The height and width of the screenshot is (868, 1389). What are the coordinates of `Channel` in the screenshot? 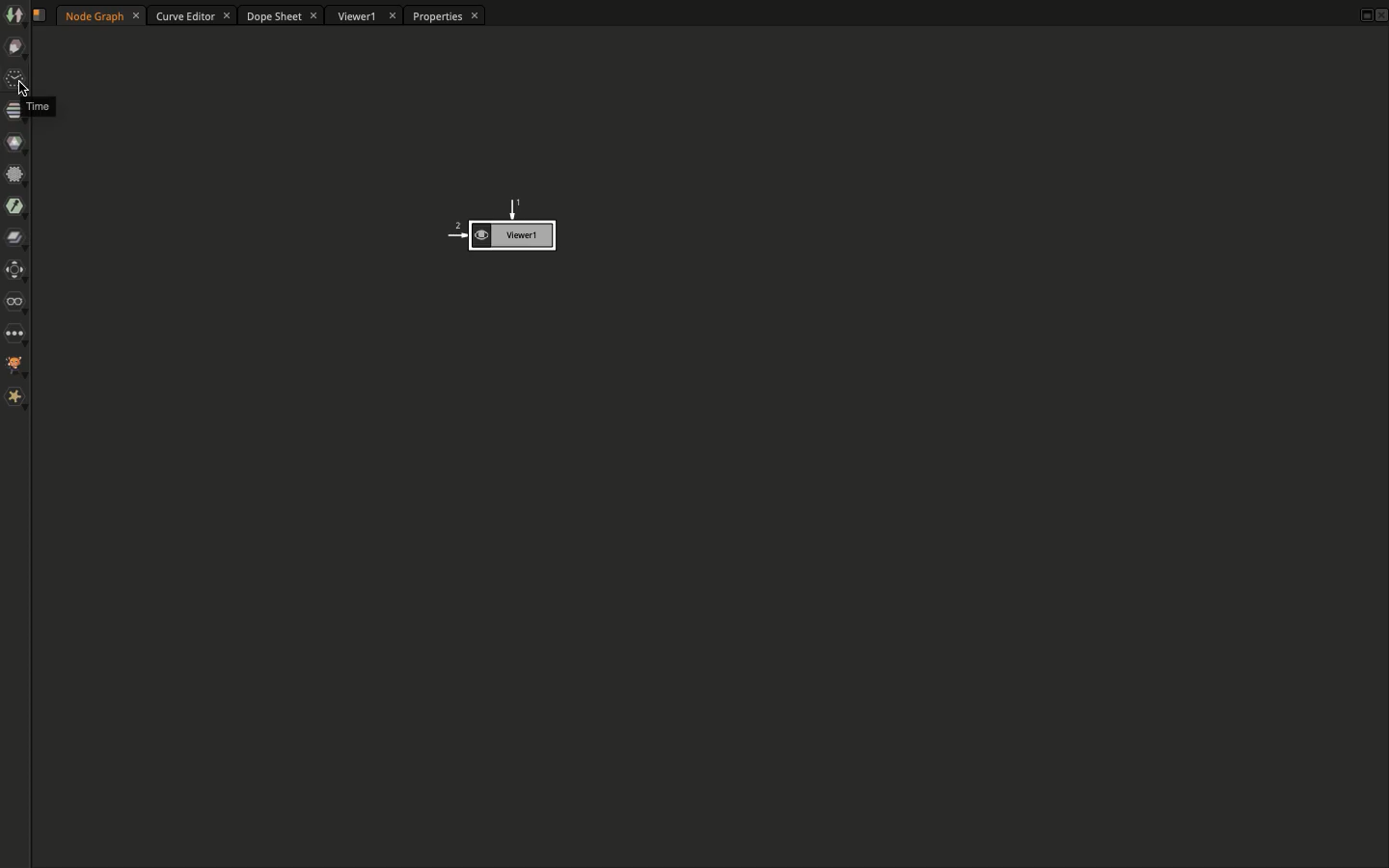 It's located at (11, 110).